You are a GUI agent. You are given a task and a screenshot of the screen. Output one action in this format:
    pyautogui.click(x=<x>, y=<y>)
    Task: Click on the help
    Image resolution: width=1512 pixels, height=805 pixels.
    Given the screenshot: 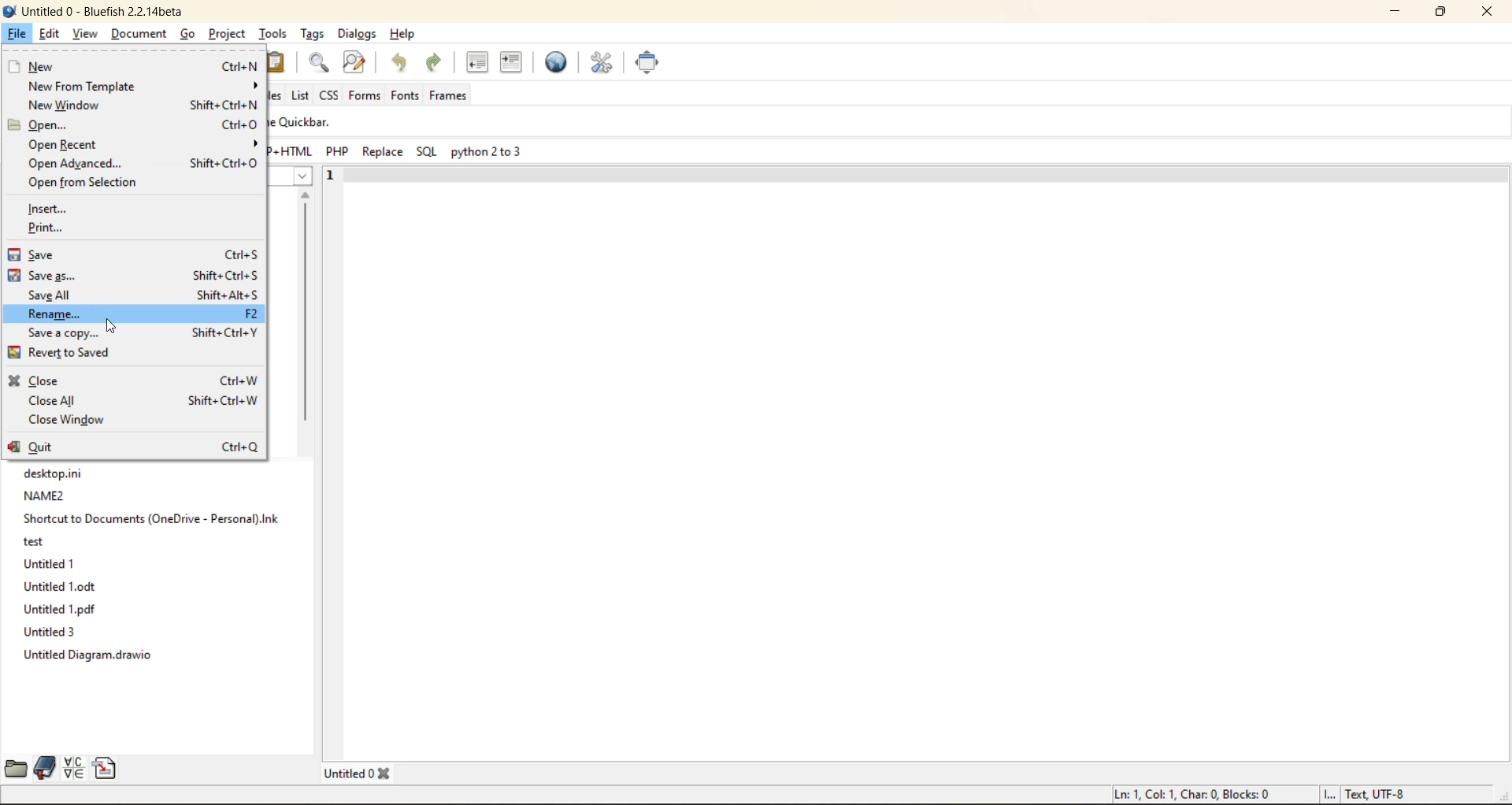 What is the action you would take?
    pyautogui.click(x=406, y=34)
    